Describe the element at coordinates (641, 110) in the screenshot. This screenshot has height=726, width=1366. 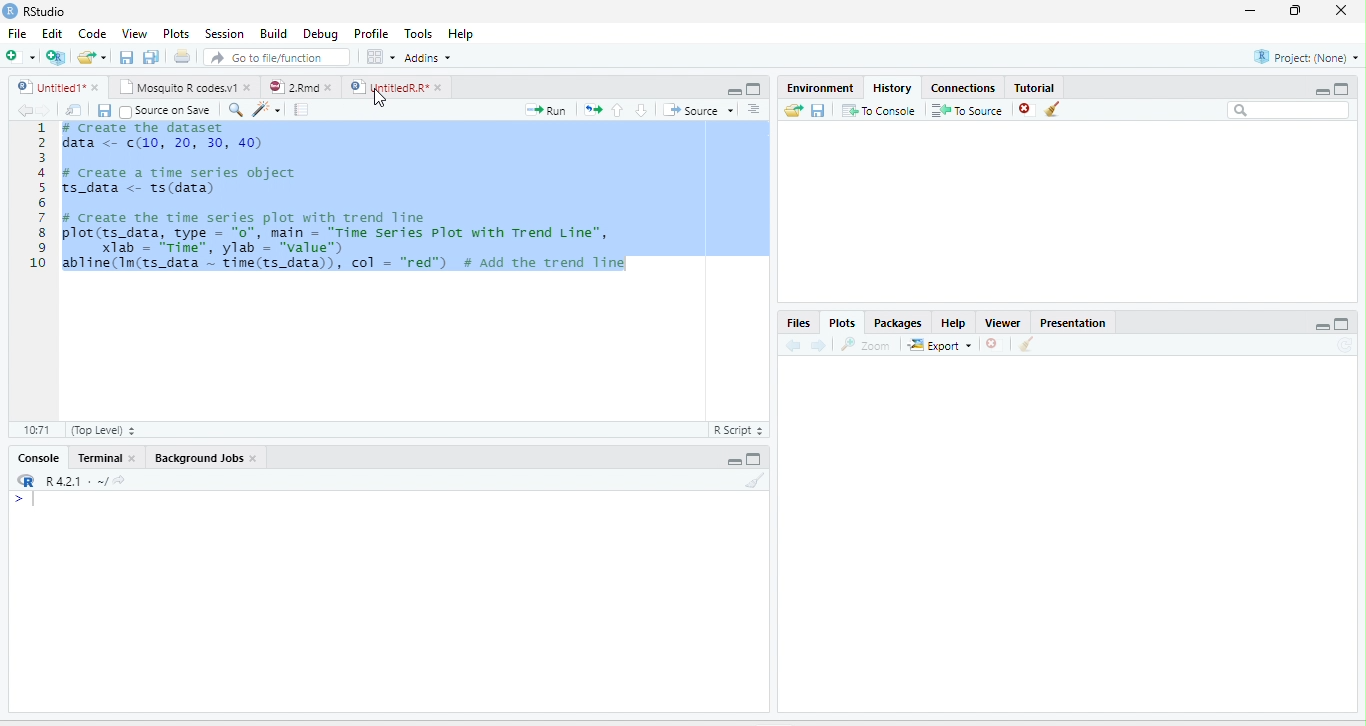
I see `Go to next section/chunk` at that location.